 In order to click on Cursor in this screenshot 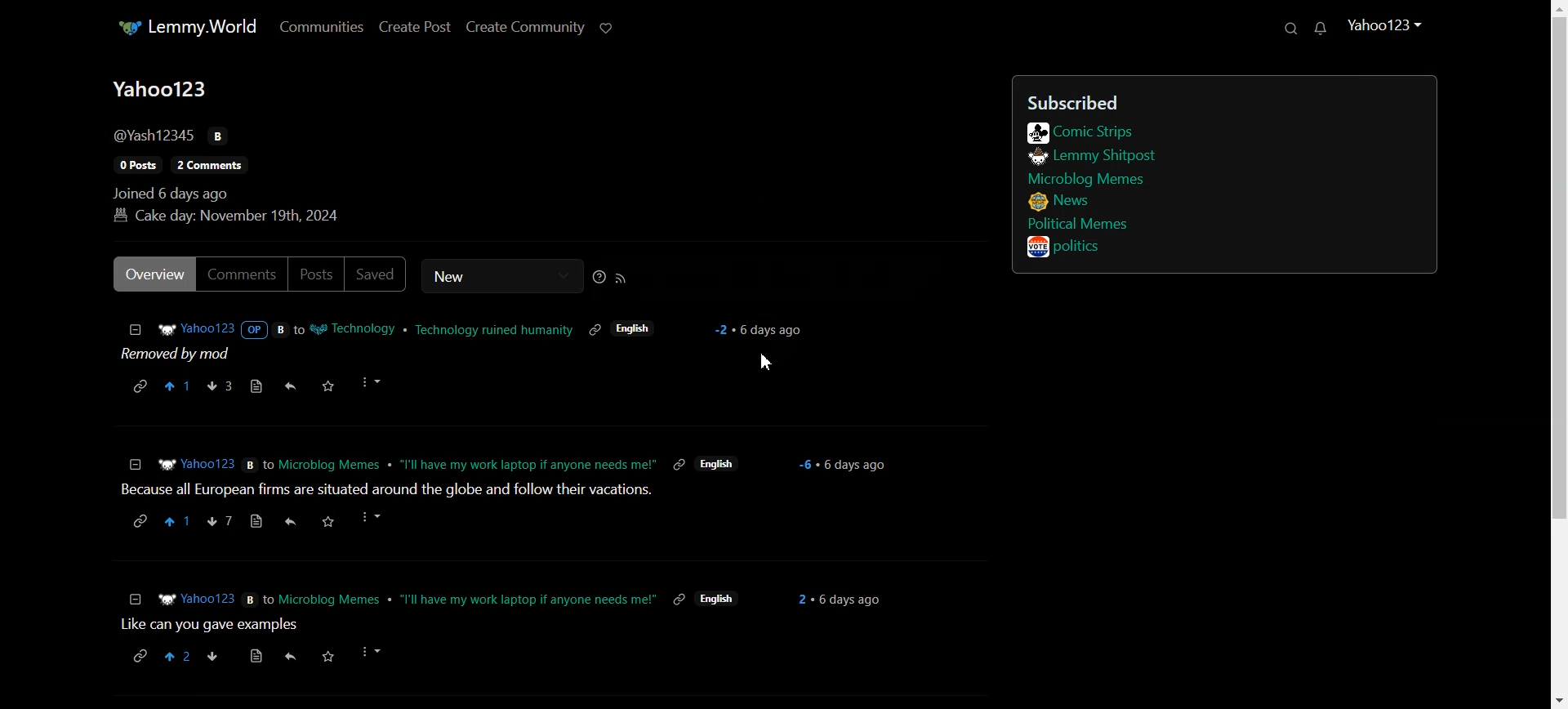, I will do `click(767, 363)`.